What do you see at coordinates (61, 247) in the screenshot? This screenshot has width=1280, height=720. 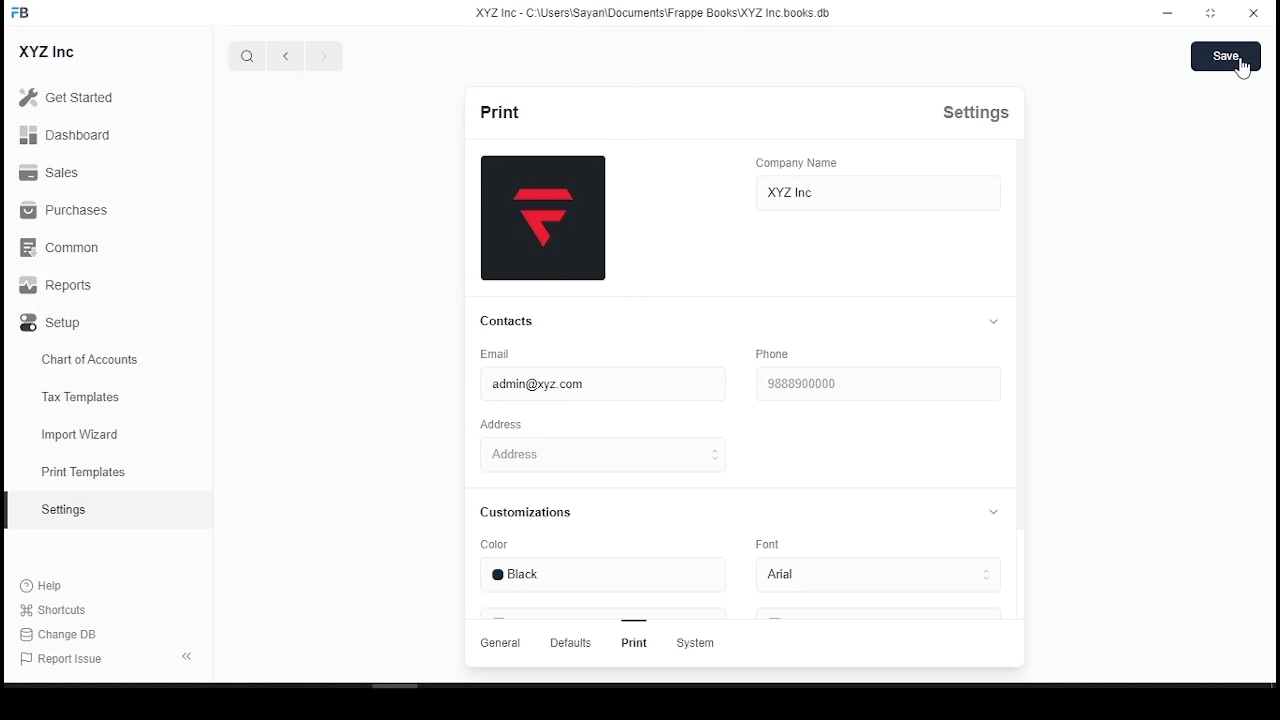 I see `Common` at bounding box center [61, 247].